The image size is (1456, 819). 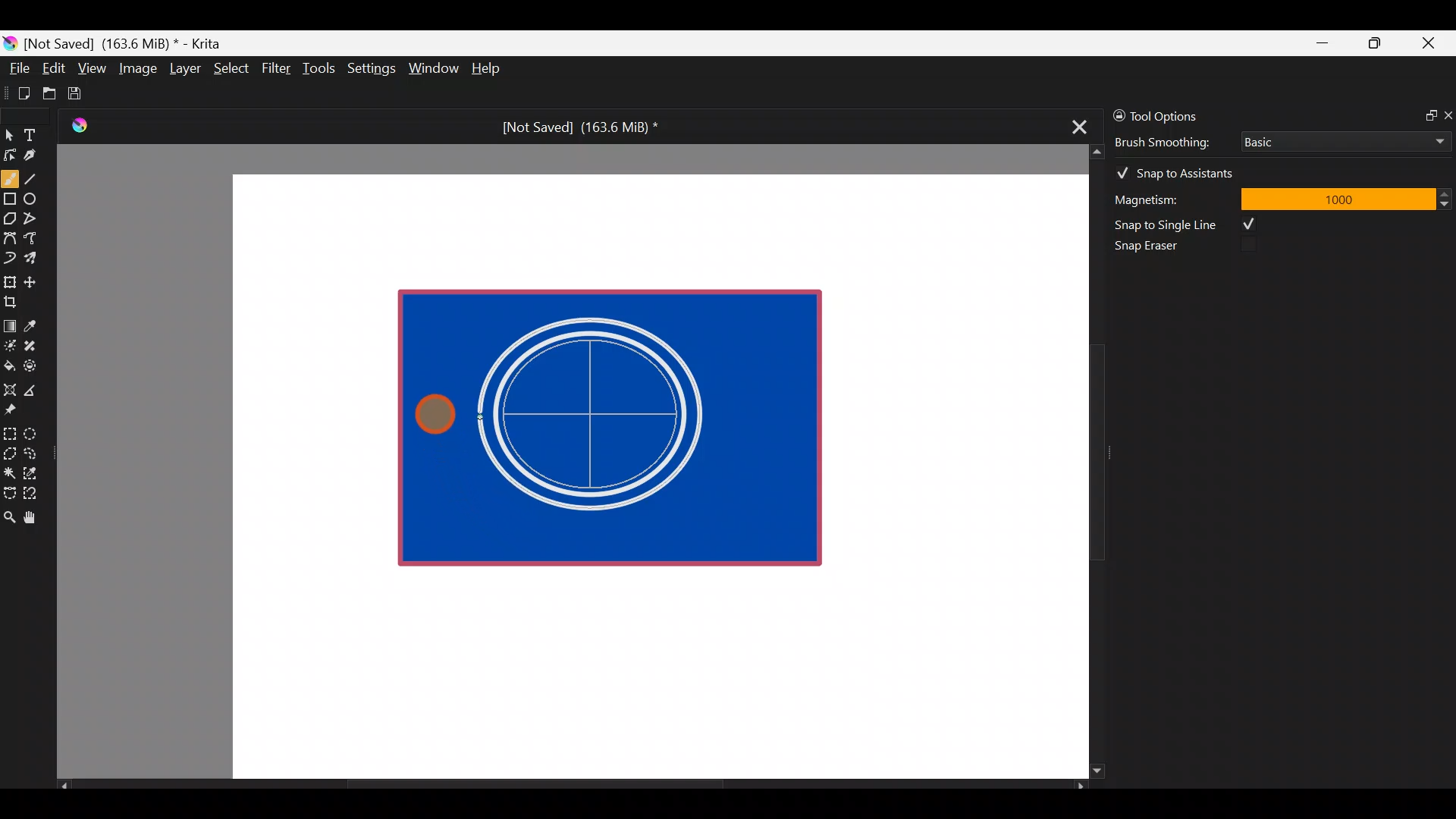 What do you see at coordinates (277, 67) in the screenshot?
I see `Filter` at bounding box center [277, 67].